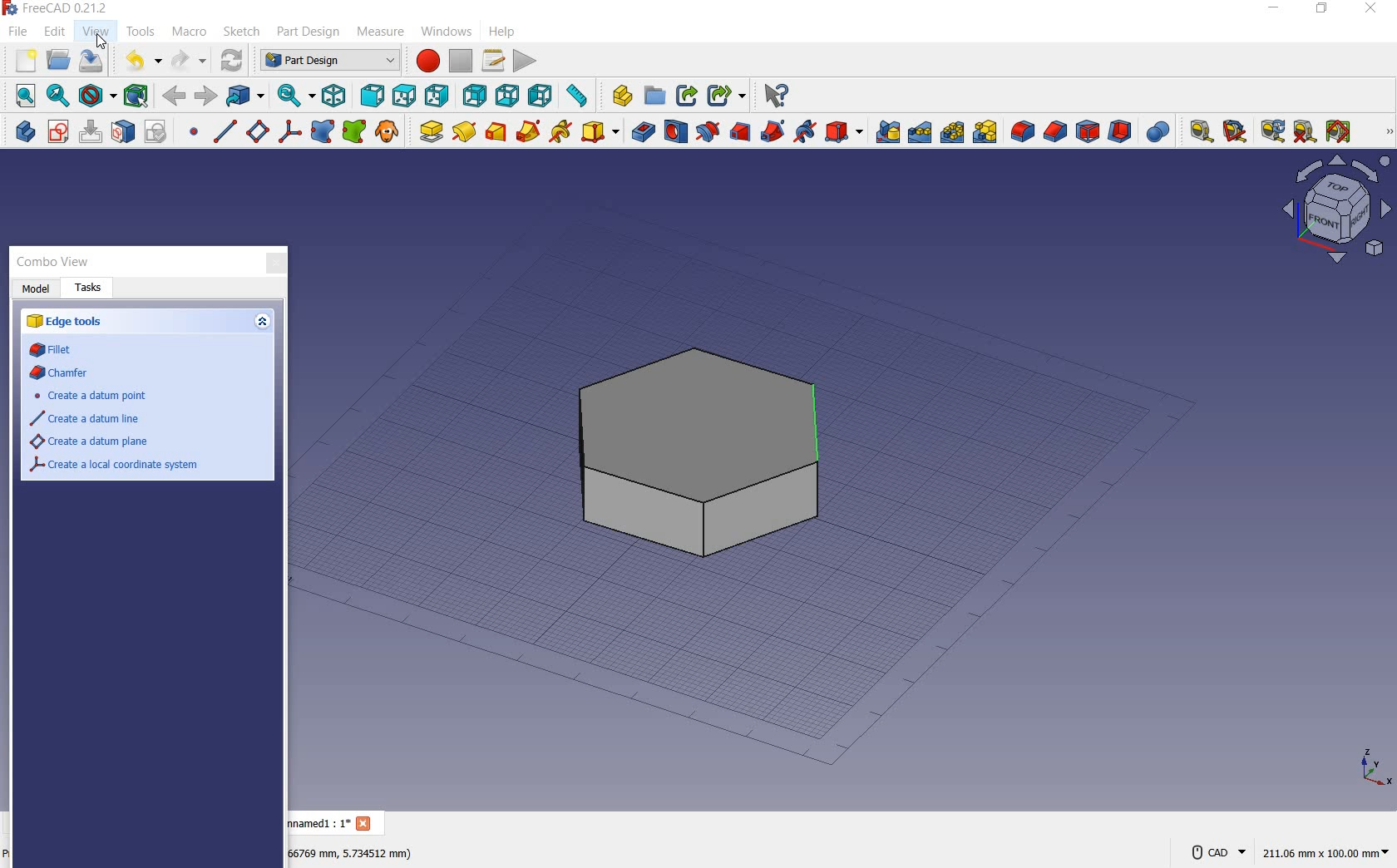 This screenshot has height=868, width=1397. What do you see at coordinates (428, 131) in the screenshot?
I see `pad` at bounding box center [428, 131].